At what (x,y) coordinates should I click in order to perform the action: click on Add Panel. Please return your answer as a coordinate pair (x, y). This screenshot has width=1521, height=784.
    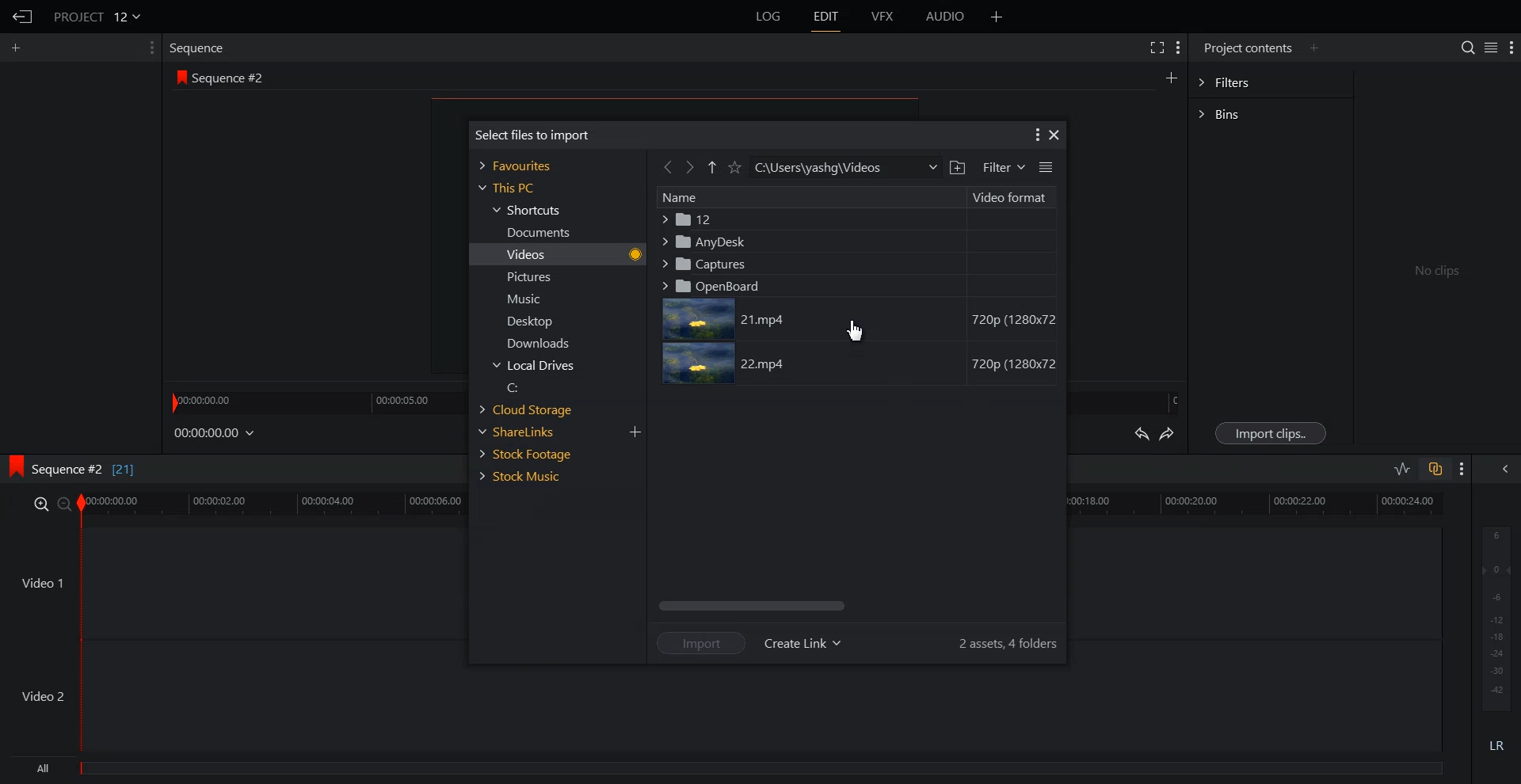
    Looking at the image, I should click on (1316, 48).